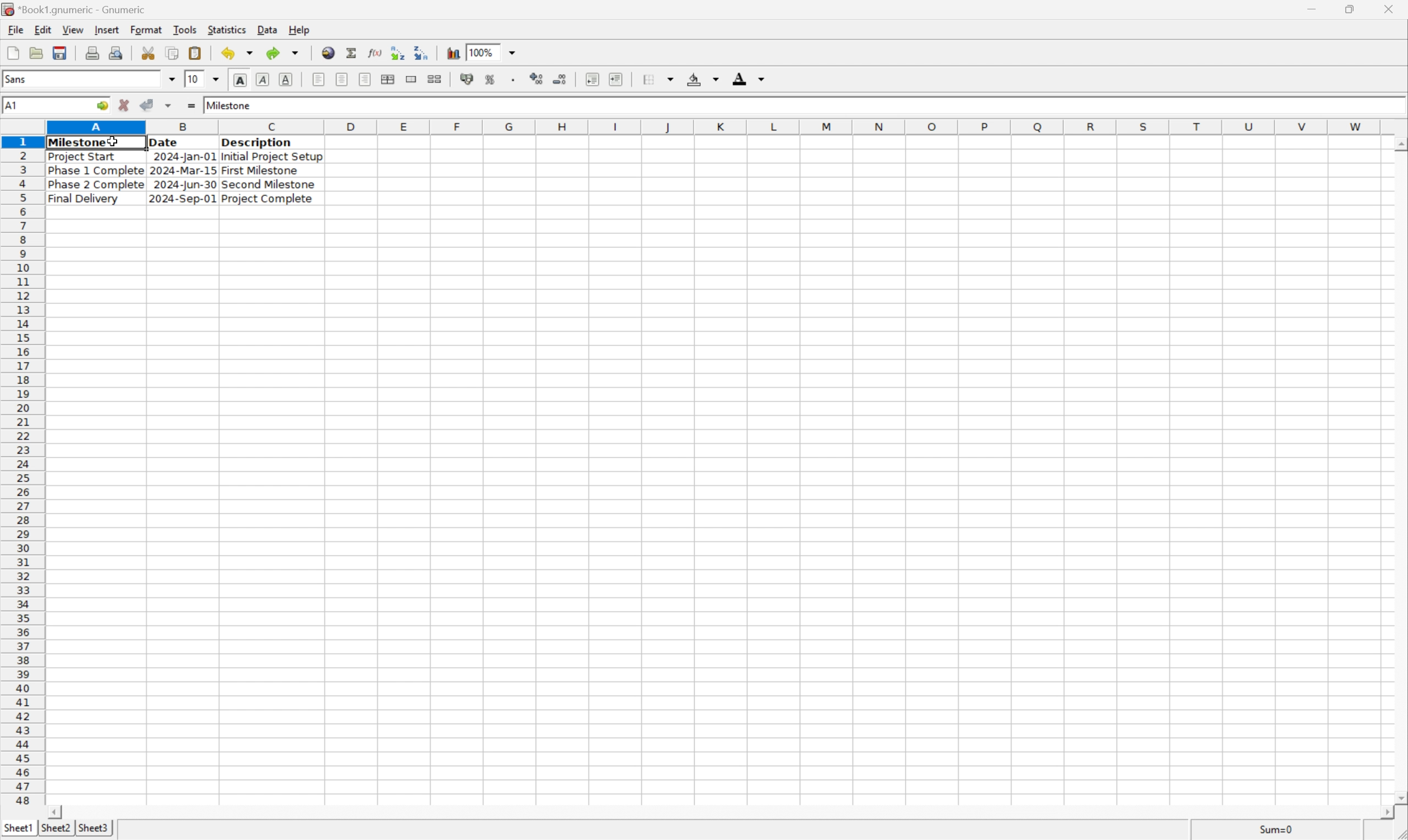 This screenshot has width=1408, height=840. I want to click on sum in current cell, so click(353, 53).